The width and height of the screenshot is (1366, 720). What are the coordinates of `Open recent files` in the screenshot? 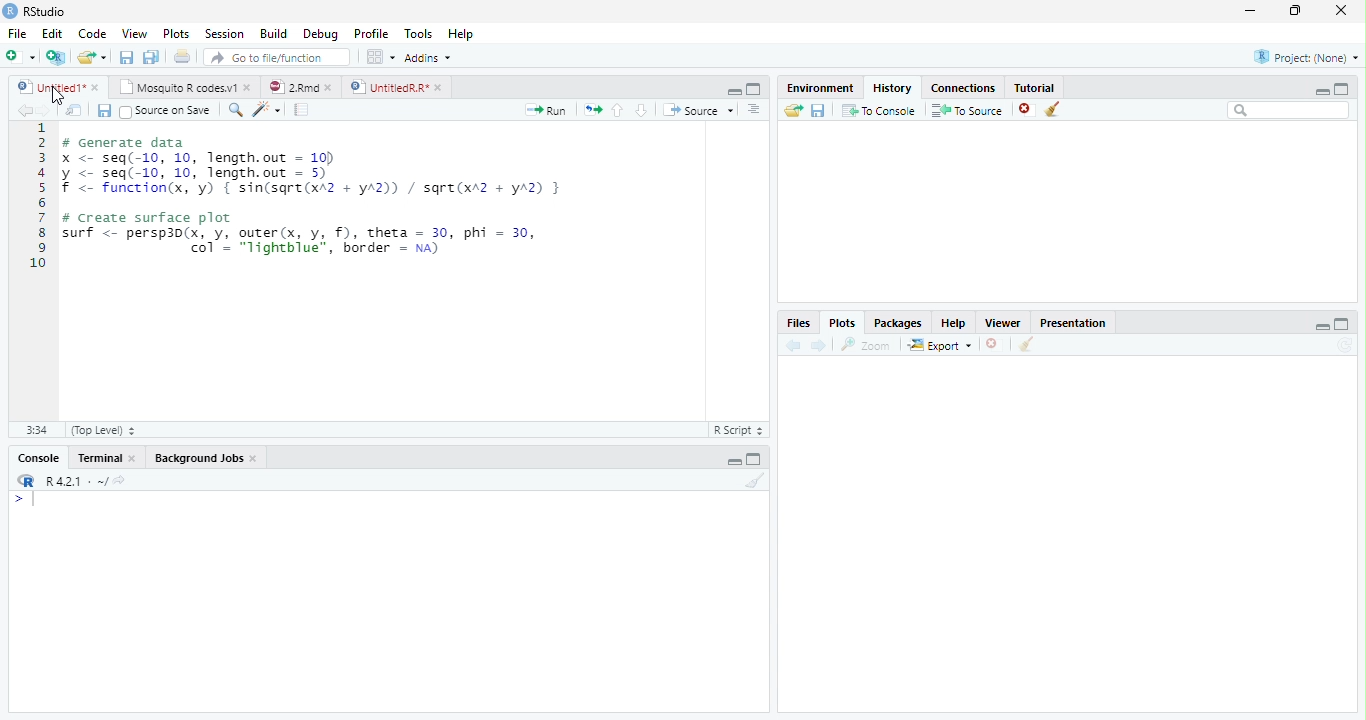 It's located at (104, 57).